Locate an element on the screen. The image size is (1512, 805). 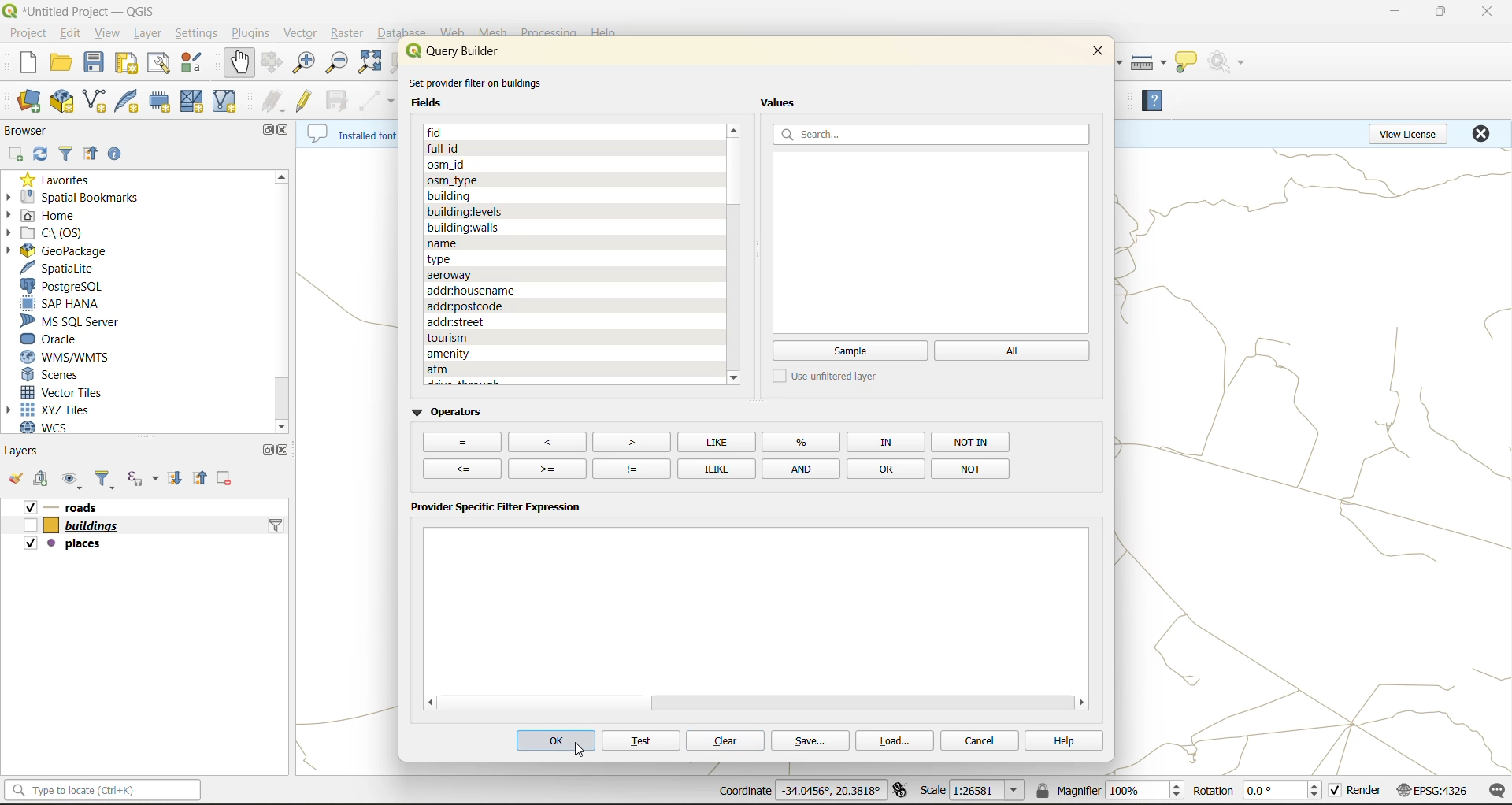
close is located at coordinates (287, 451).